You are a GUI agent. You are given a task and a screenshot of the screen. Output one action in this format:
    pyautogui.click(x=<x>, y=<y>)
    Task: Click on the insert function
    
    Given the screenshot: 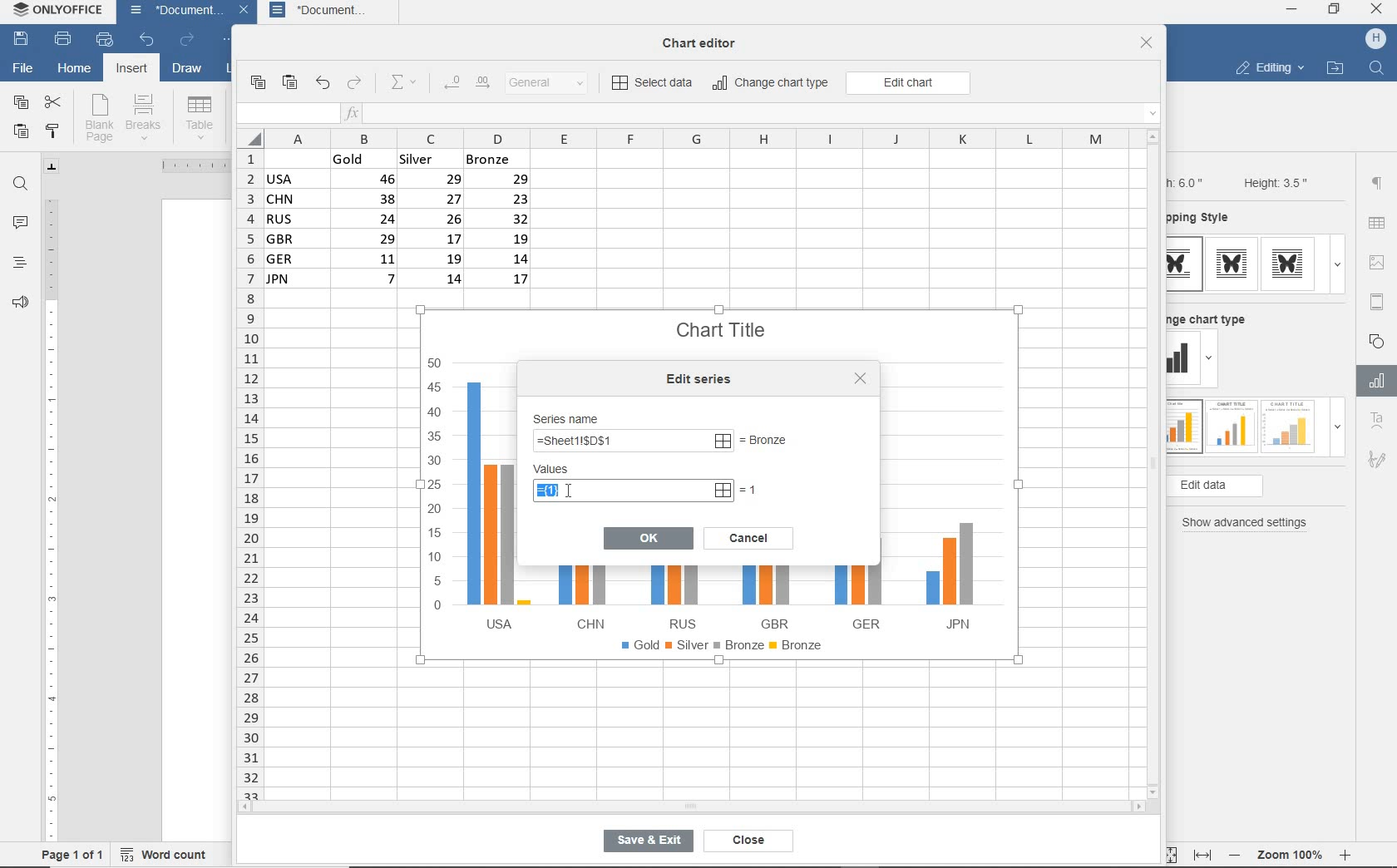 What is the action you would take?
    pyautogui.click(x=753, y=114)
    